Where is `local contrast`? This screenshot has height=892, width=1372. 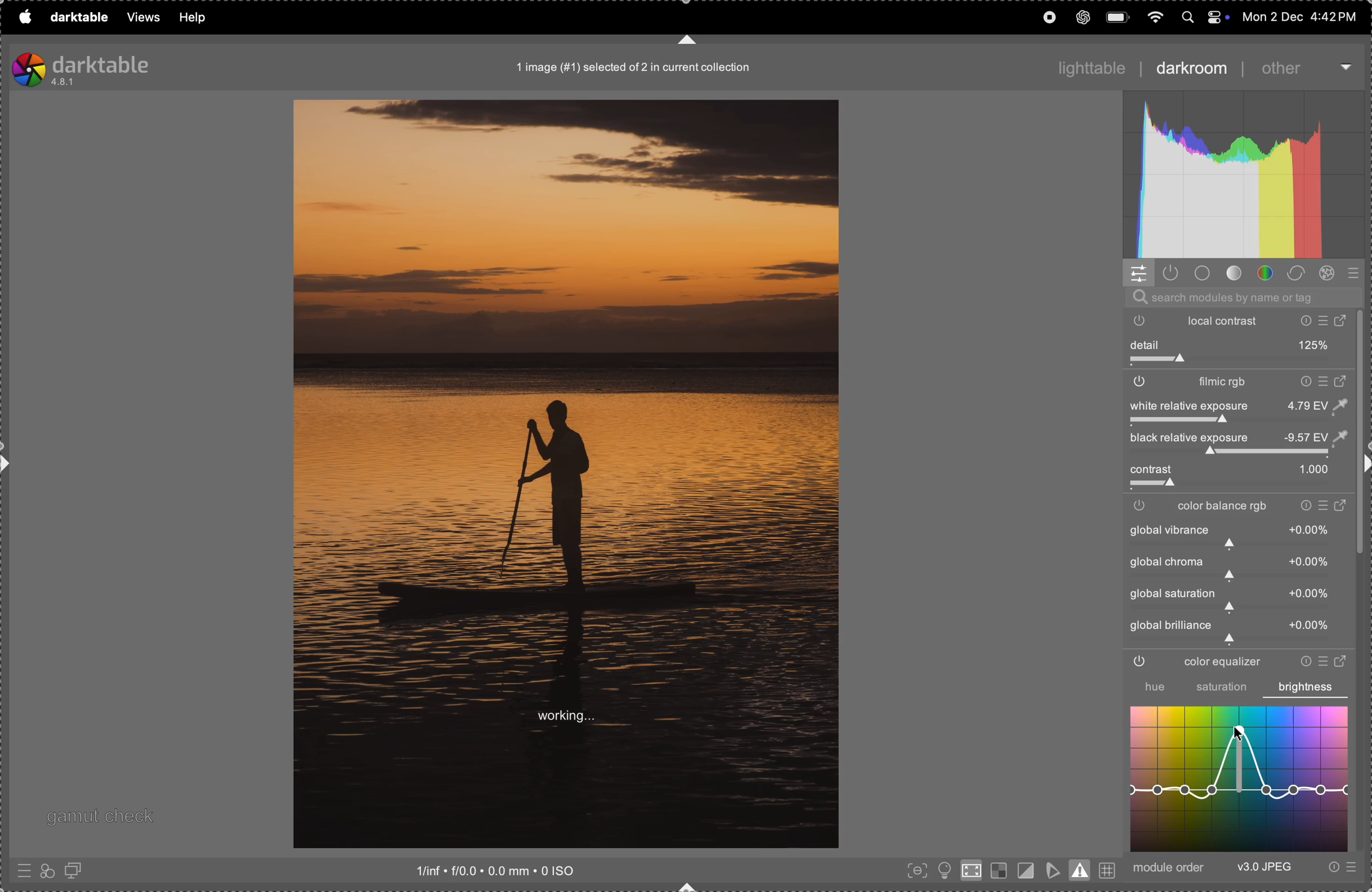
local contrast is located at coordinates (1243, 320).